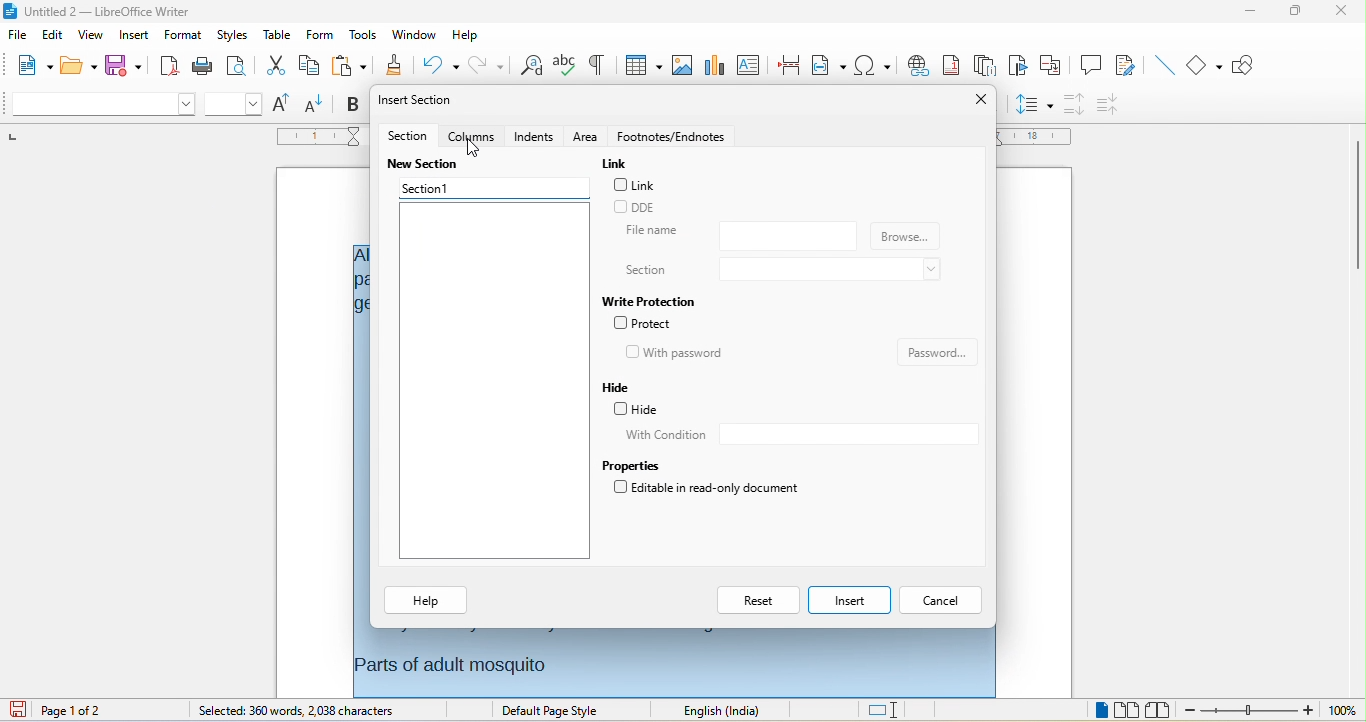 The image size is (1366, 722). Describe the element at coordinates (649, 300) in the screenshot. I see `write protection` at that location.